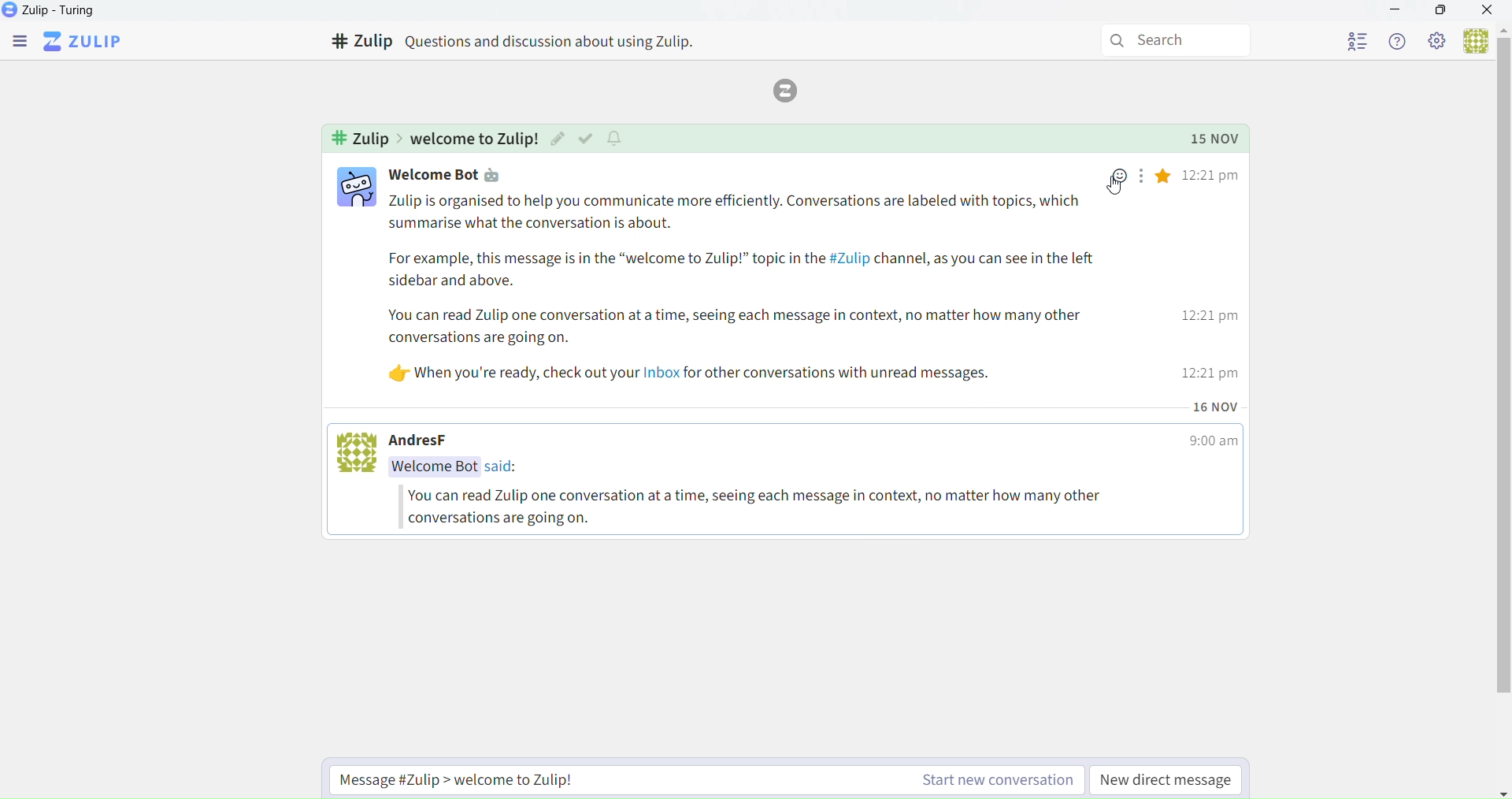 The height and width of the screenshot is (799, 1512). What do you see at coordinates (462, 468) in the screenshot?
I see ` Welcome Bot said:` at bounding box center [462, 468].